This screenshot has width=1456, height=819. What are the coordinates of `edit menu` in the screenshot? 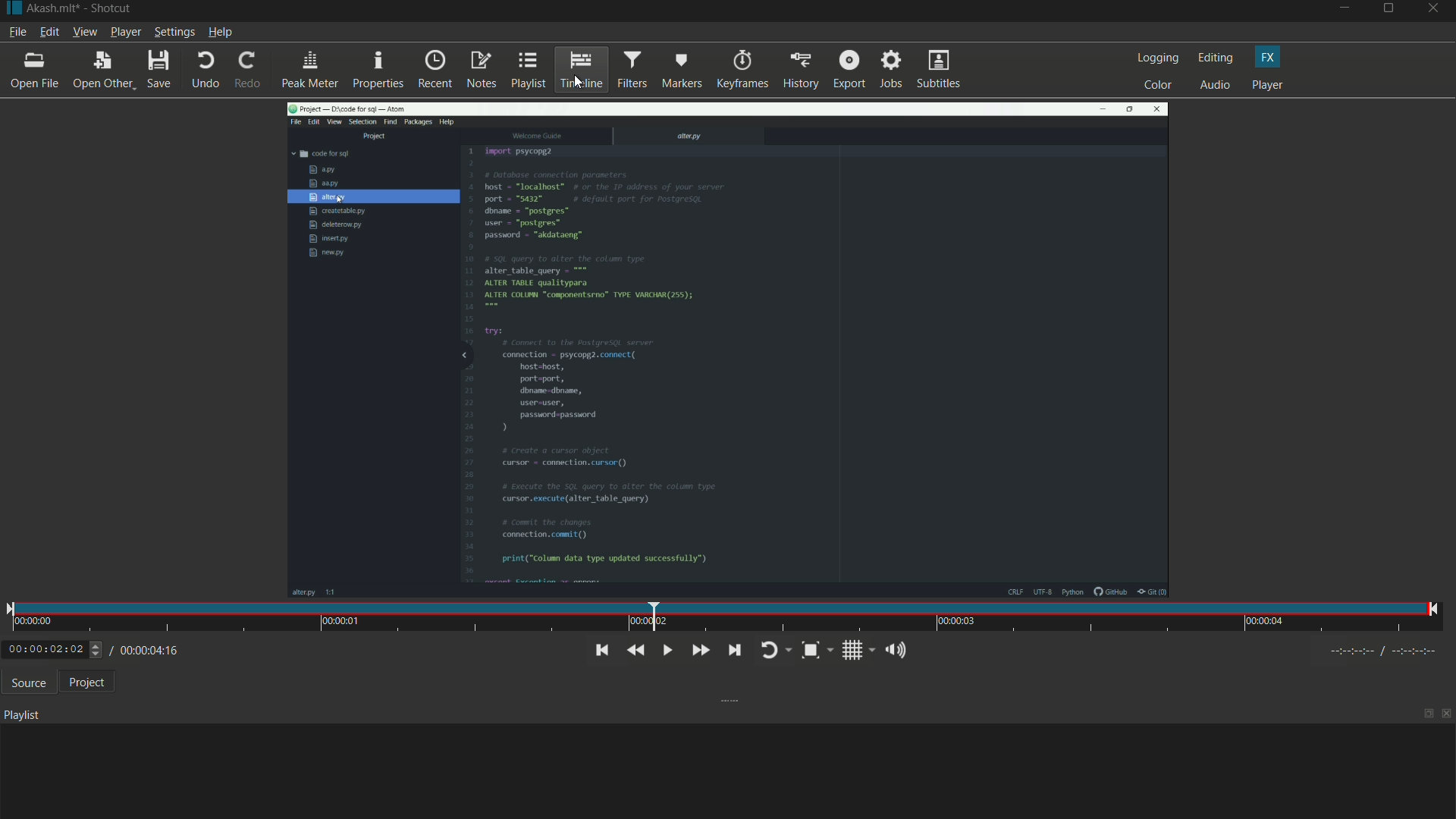 It's located at (49, 33).